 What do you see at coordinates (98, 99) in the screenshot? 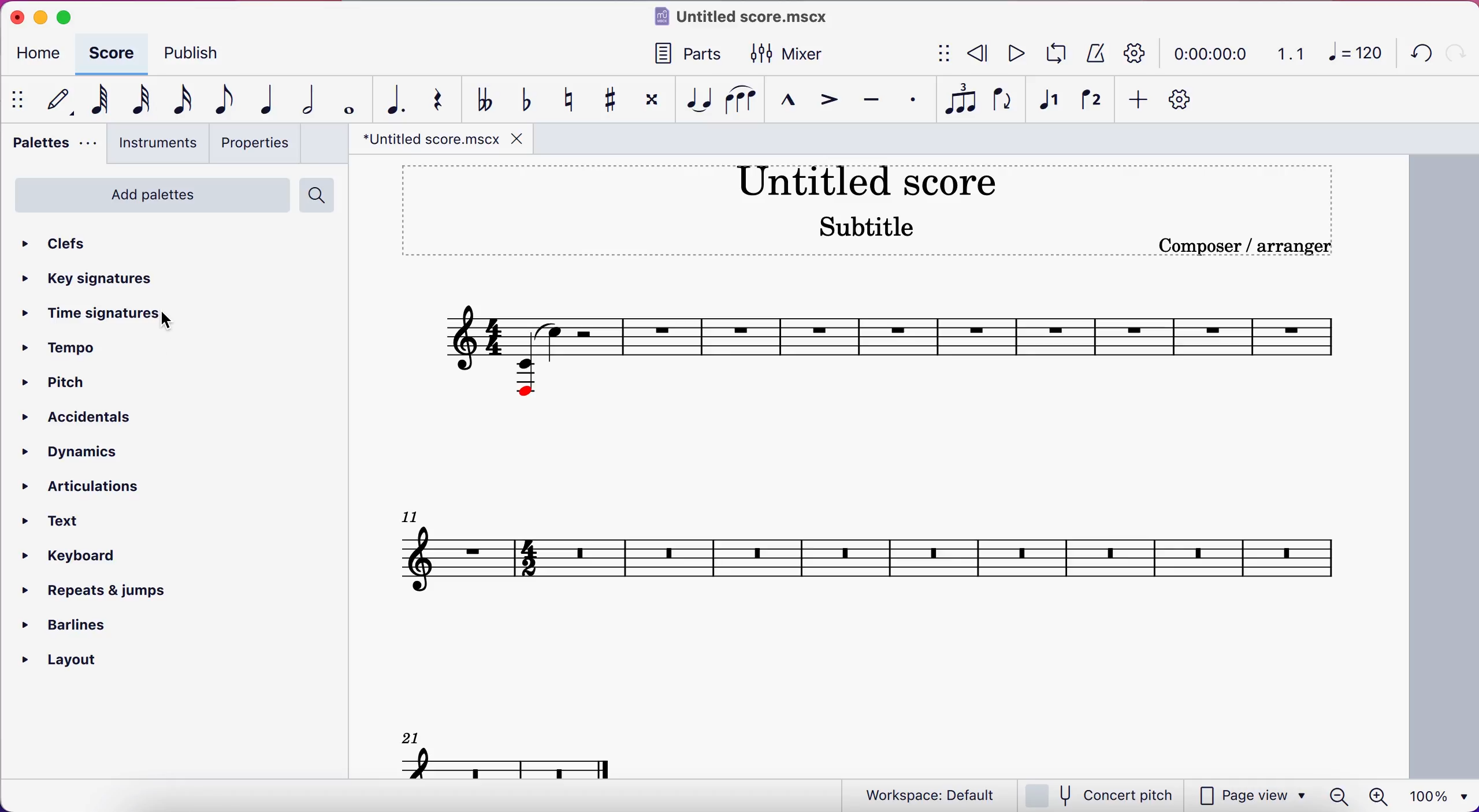
I see `64th note` at bounding box center [98, 99].